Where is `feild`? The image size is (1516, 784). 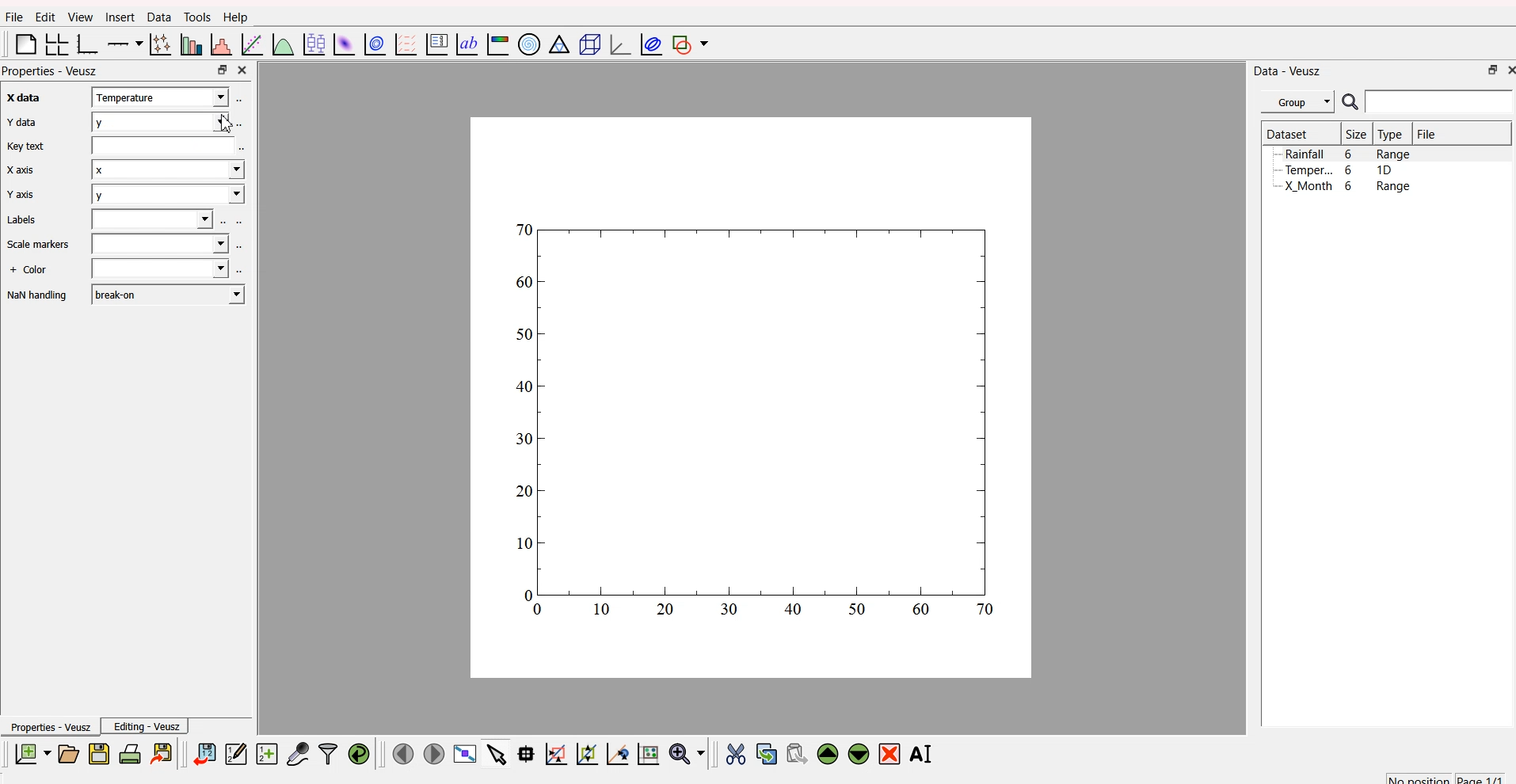
feild is located at coordinates (162, 147).